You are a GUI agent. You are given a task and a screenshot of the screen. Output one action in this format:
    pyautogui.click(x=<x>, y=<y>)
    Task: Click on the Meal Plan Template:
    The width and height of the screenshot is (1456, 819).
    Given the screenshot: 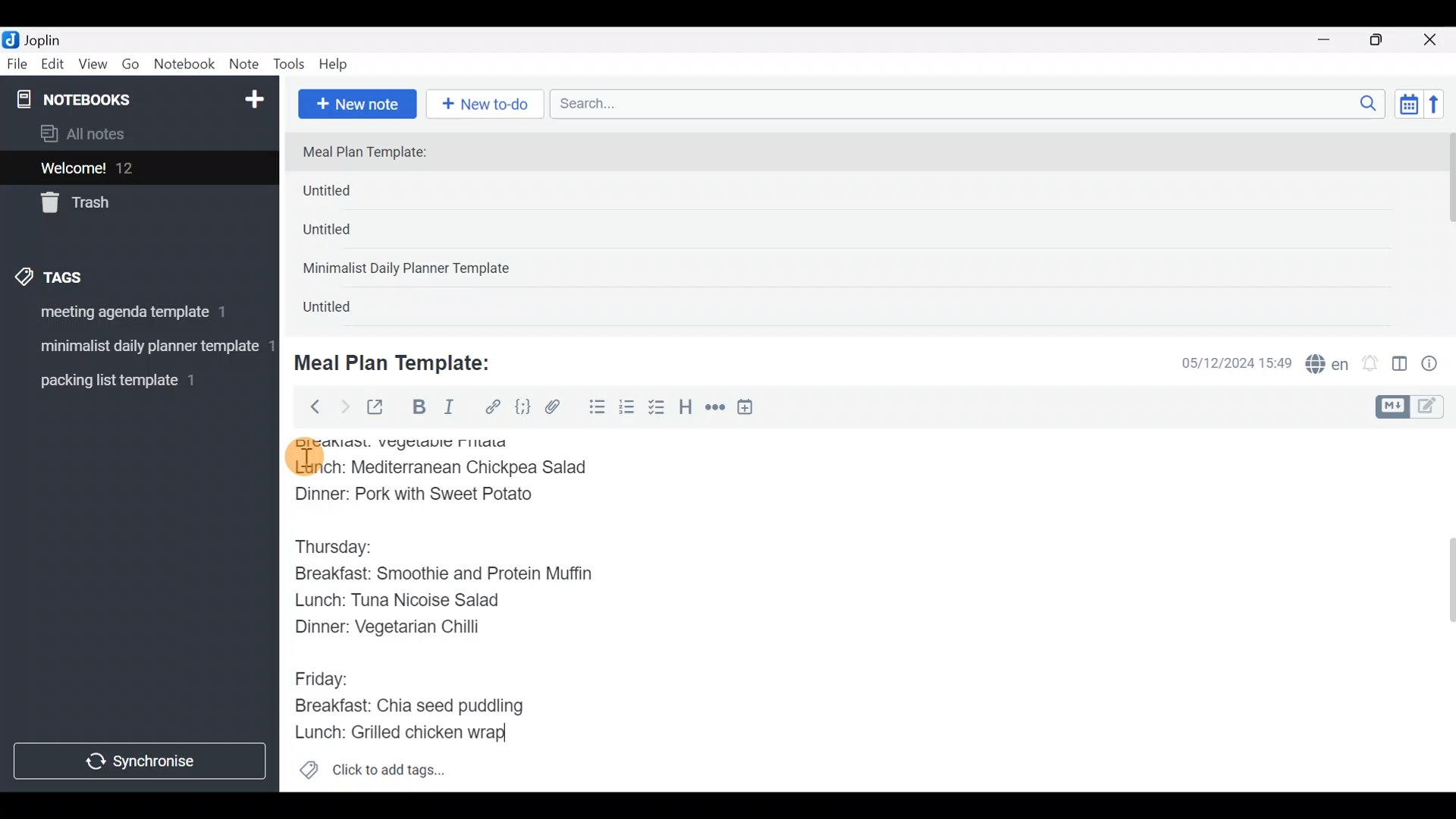 What is the action you would take?
    pyautogui.click(x=374, y=153)
    